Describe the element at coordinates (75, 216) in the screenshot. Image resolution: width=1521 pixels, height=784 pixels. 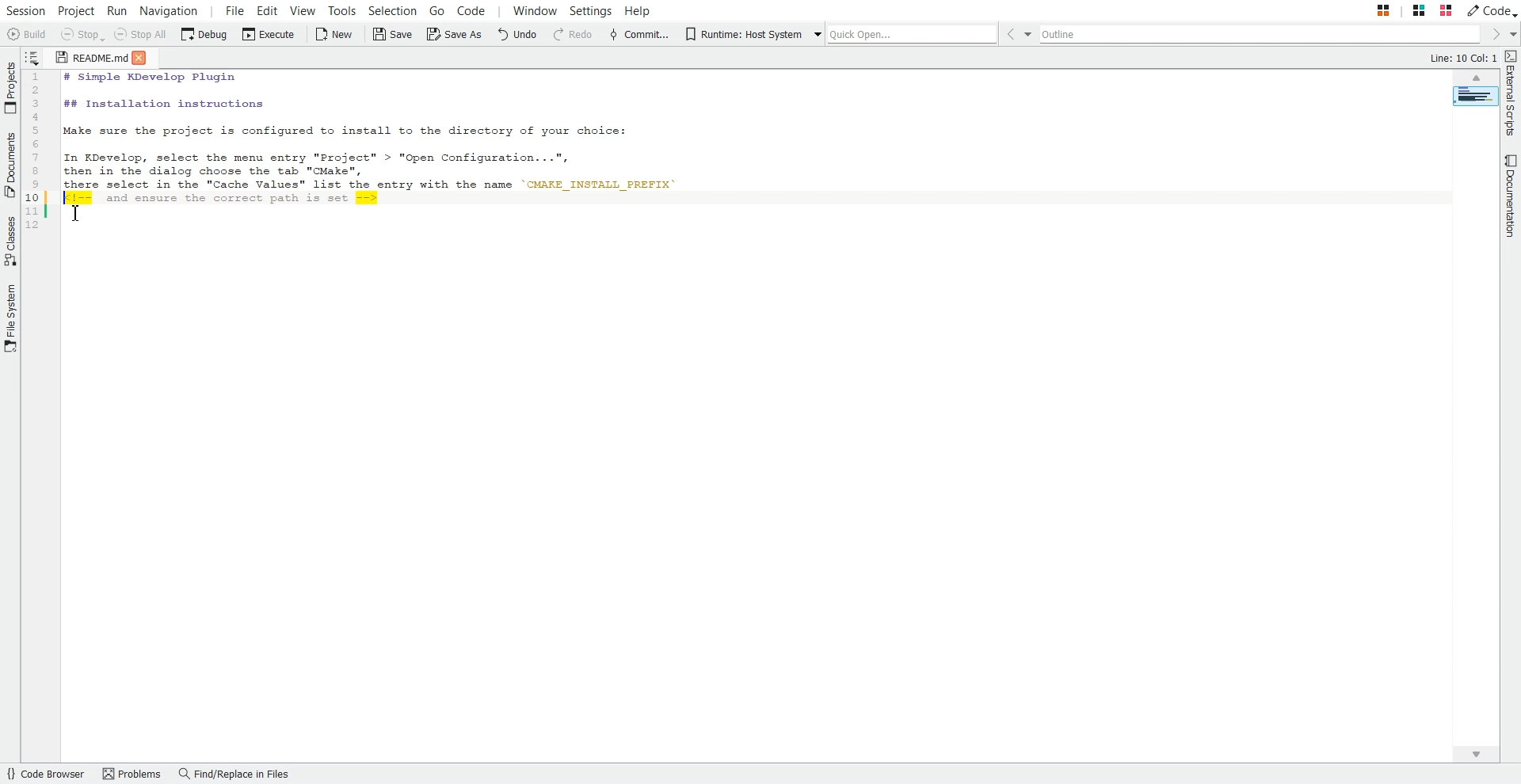
I see `Pointer` at that location.